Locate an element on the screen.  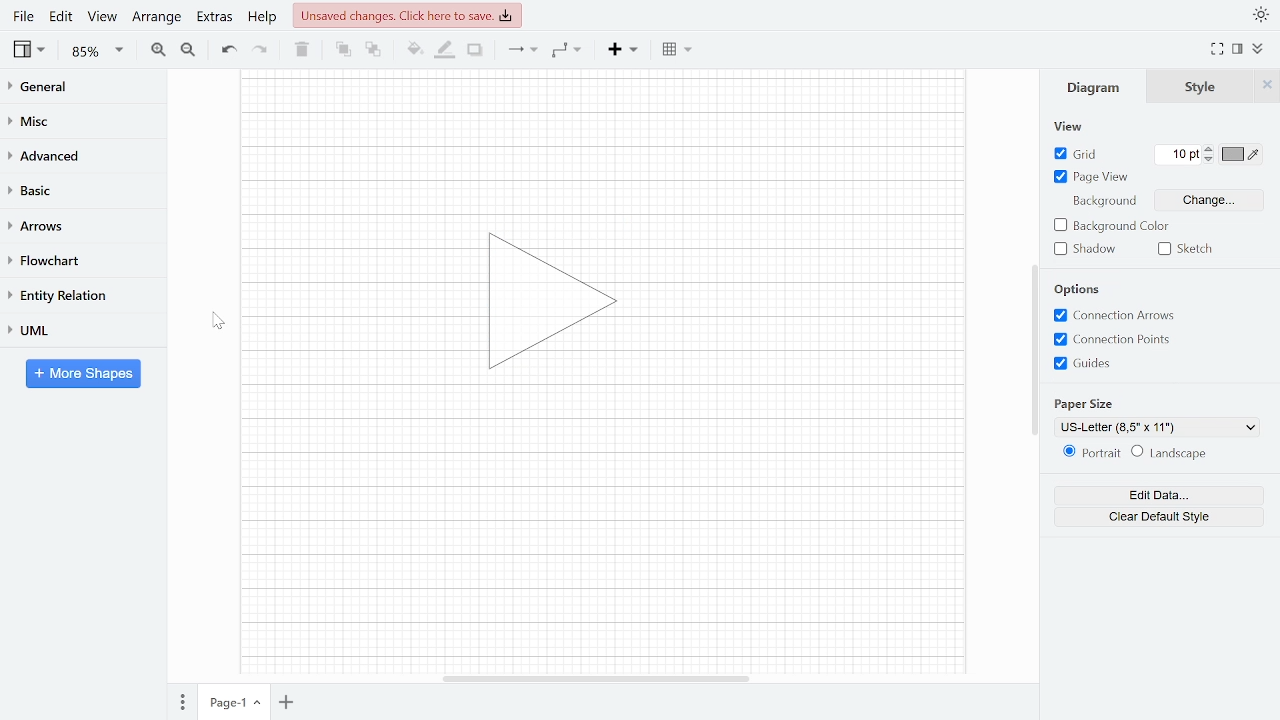
vertical scrollbar is located at coordinates (1034, 350).